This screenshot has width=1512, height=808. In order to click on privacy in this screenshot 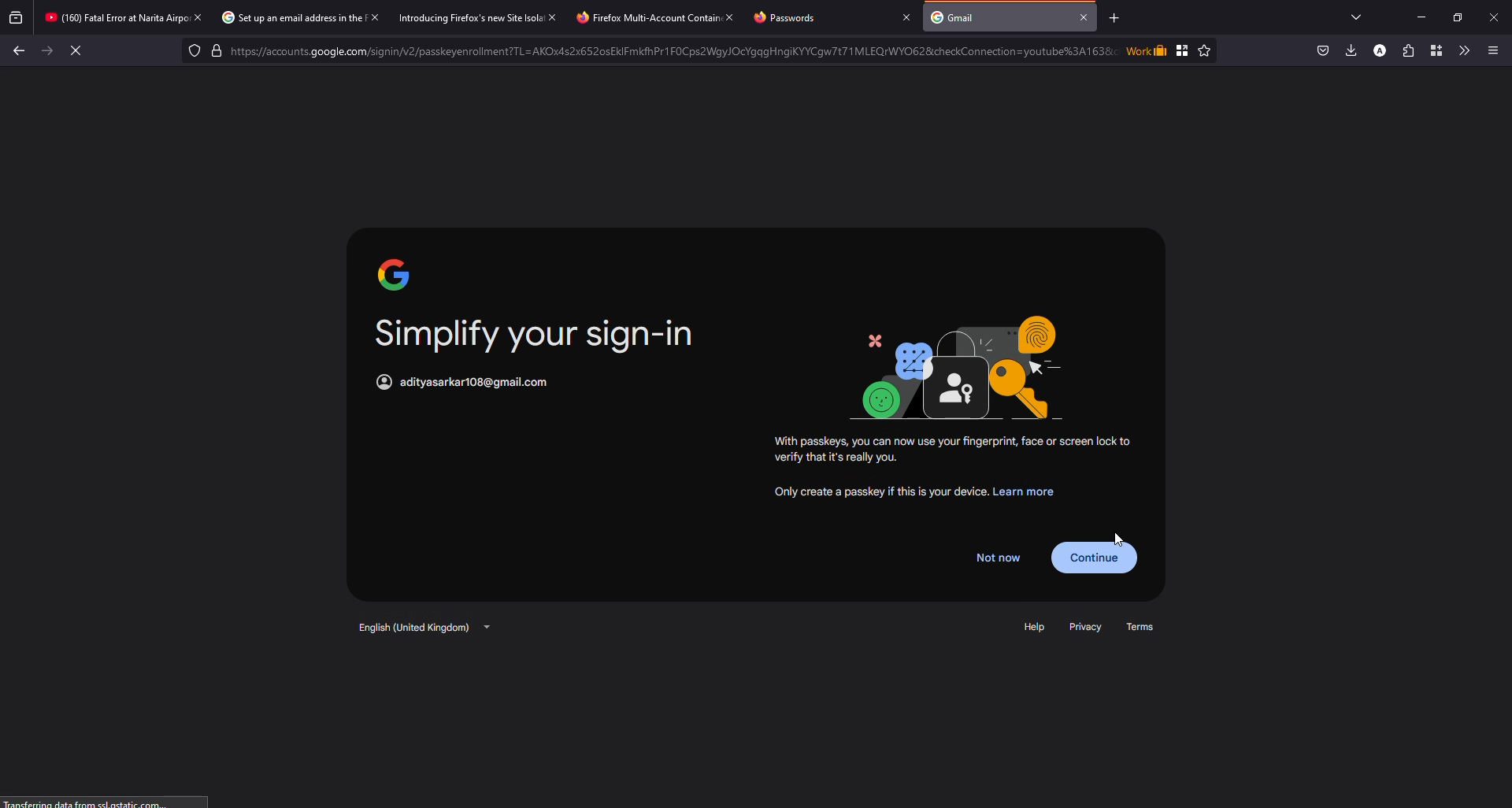, I will do `click(1085, 626)`.